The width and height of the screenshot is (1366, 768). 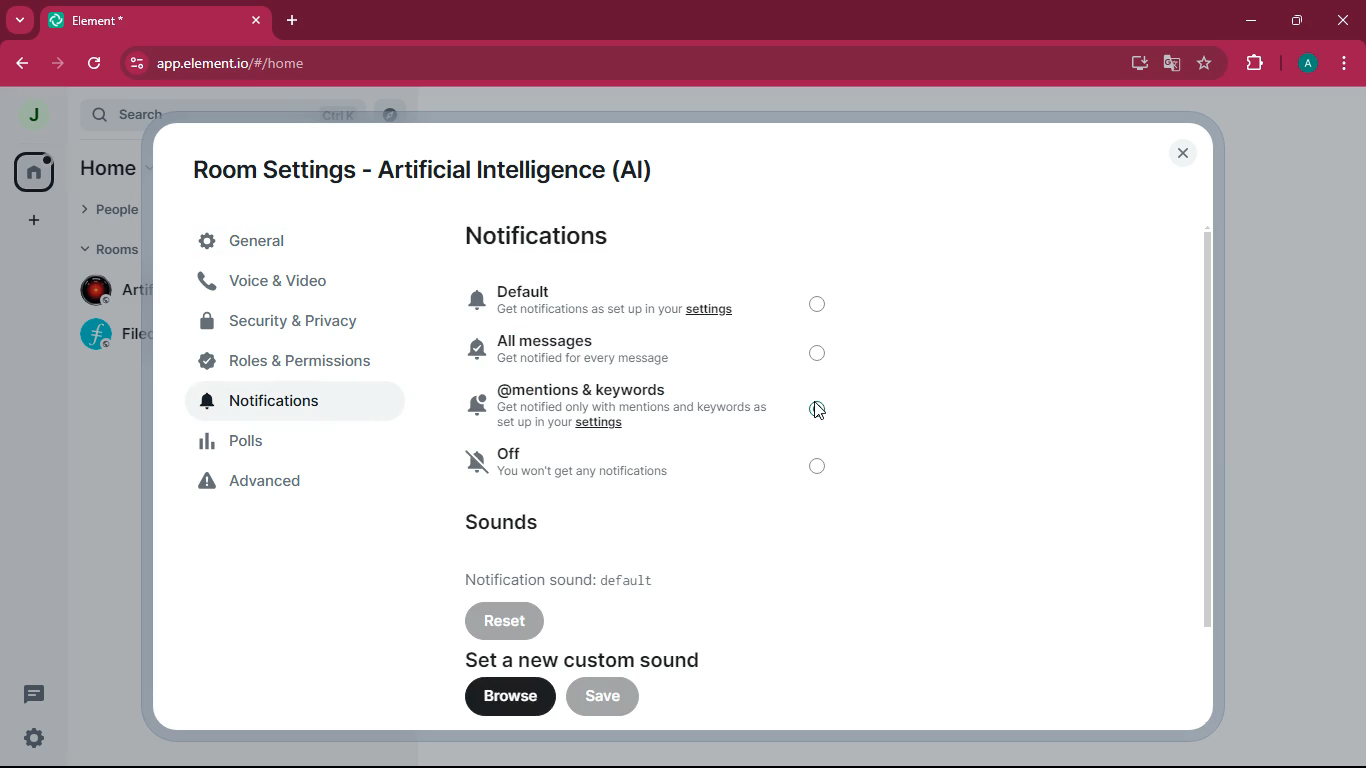 I want to click on off, so click(x=819, y=355).